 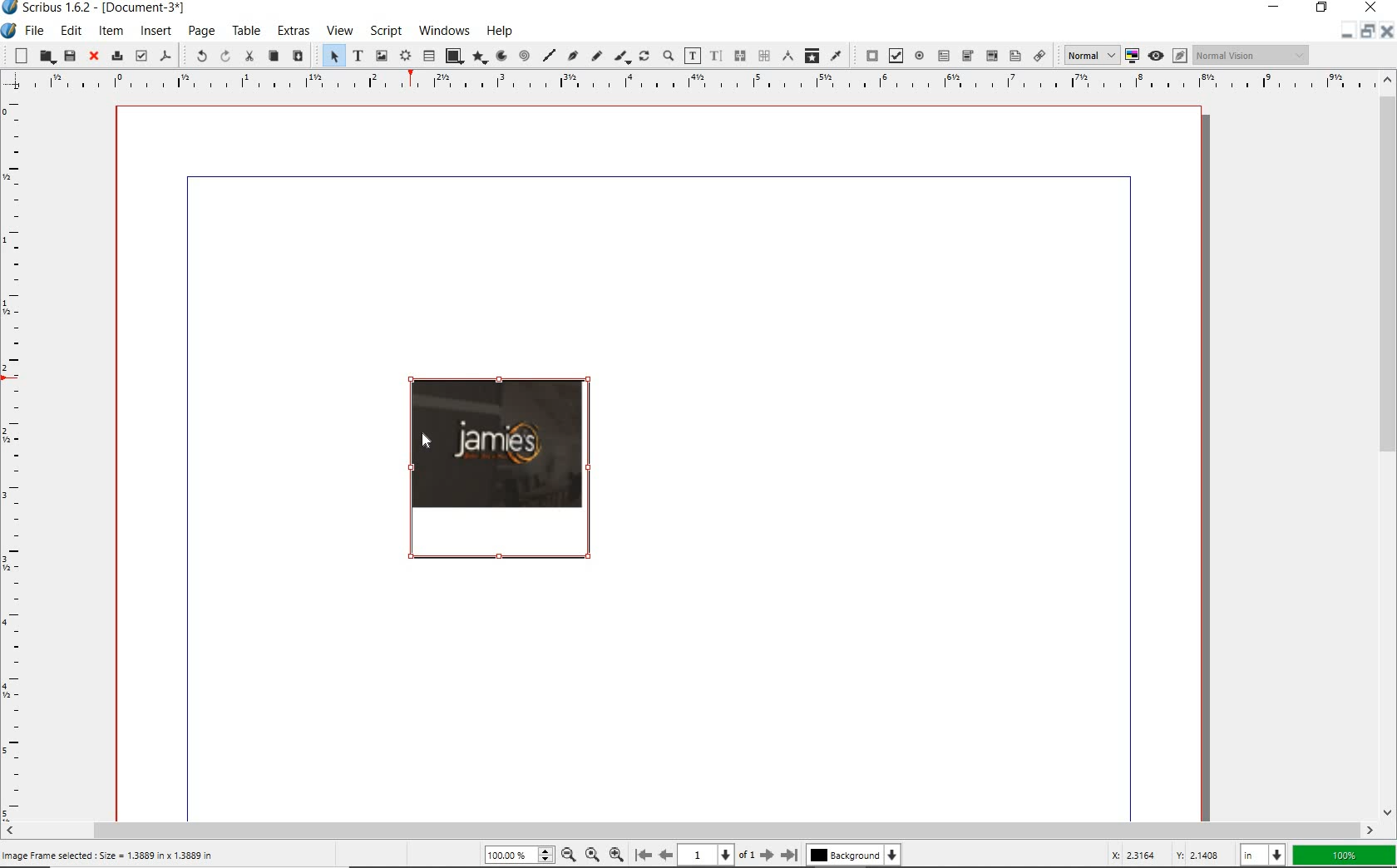 What do you see at coordinates (593, 856) in the screenshot?
I see `zoom to` at bounding box center [593, 856].